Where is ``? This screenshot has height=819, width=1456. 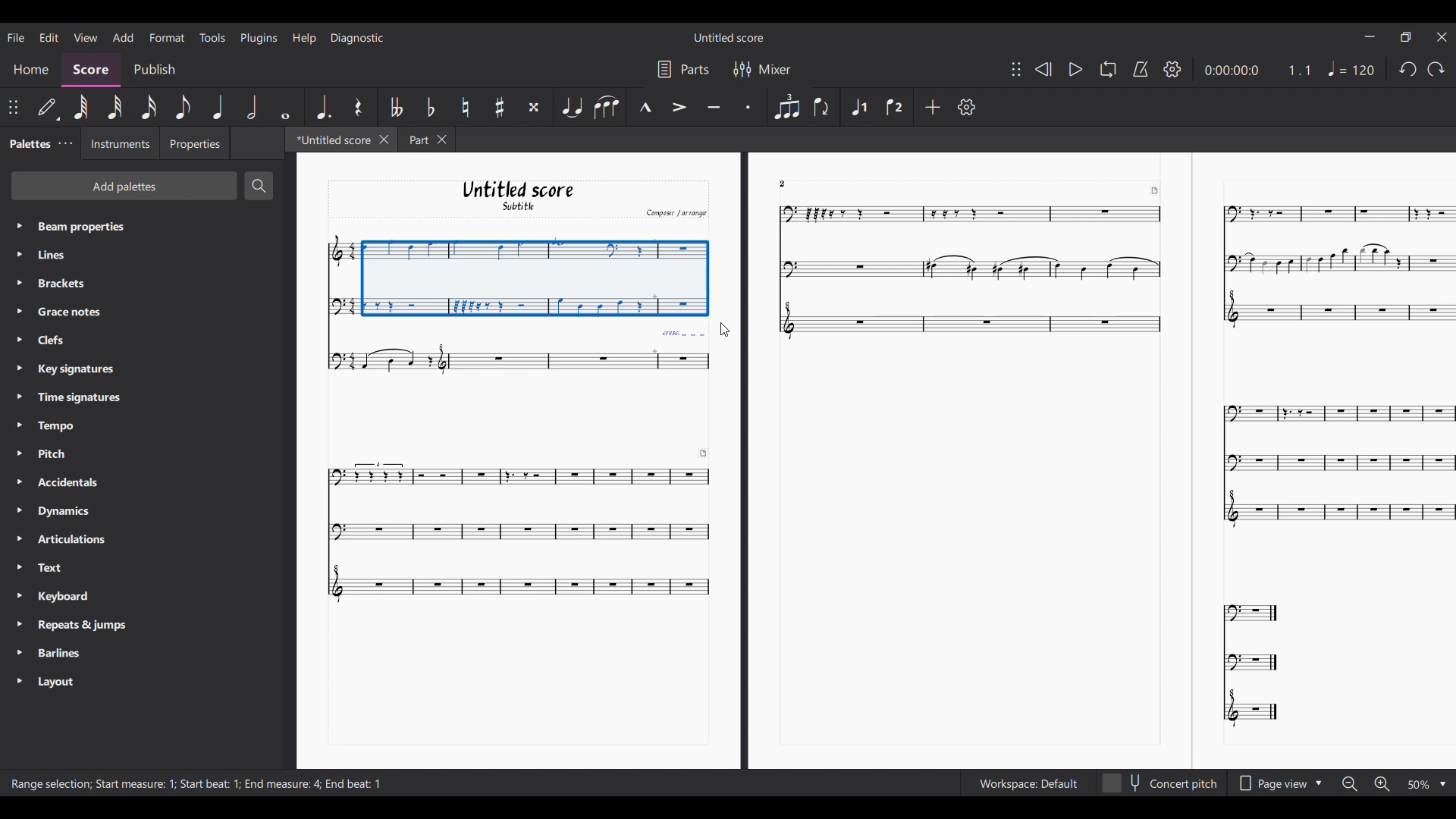  is located at coordinates (969, 268).